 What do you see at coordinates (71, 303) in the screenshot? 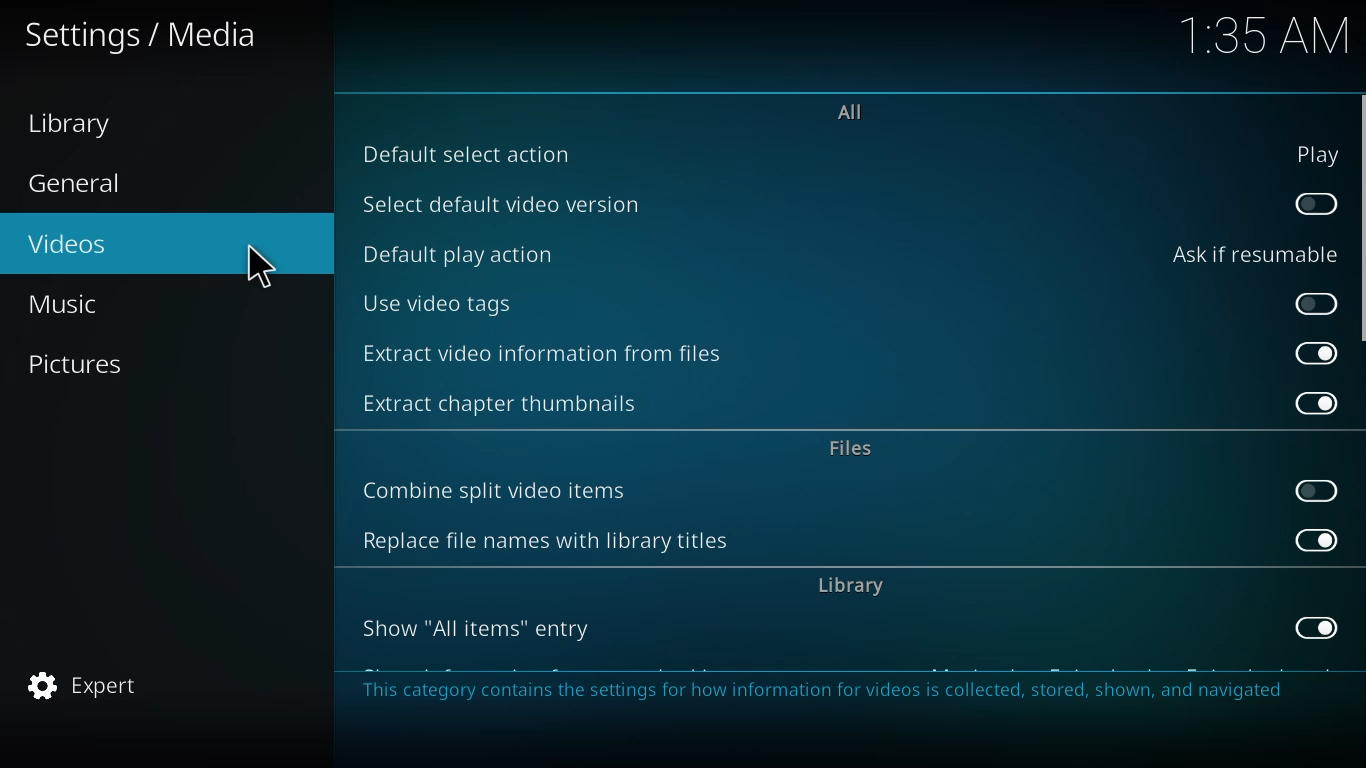
I see `music` at bounding box center [71, 303].